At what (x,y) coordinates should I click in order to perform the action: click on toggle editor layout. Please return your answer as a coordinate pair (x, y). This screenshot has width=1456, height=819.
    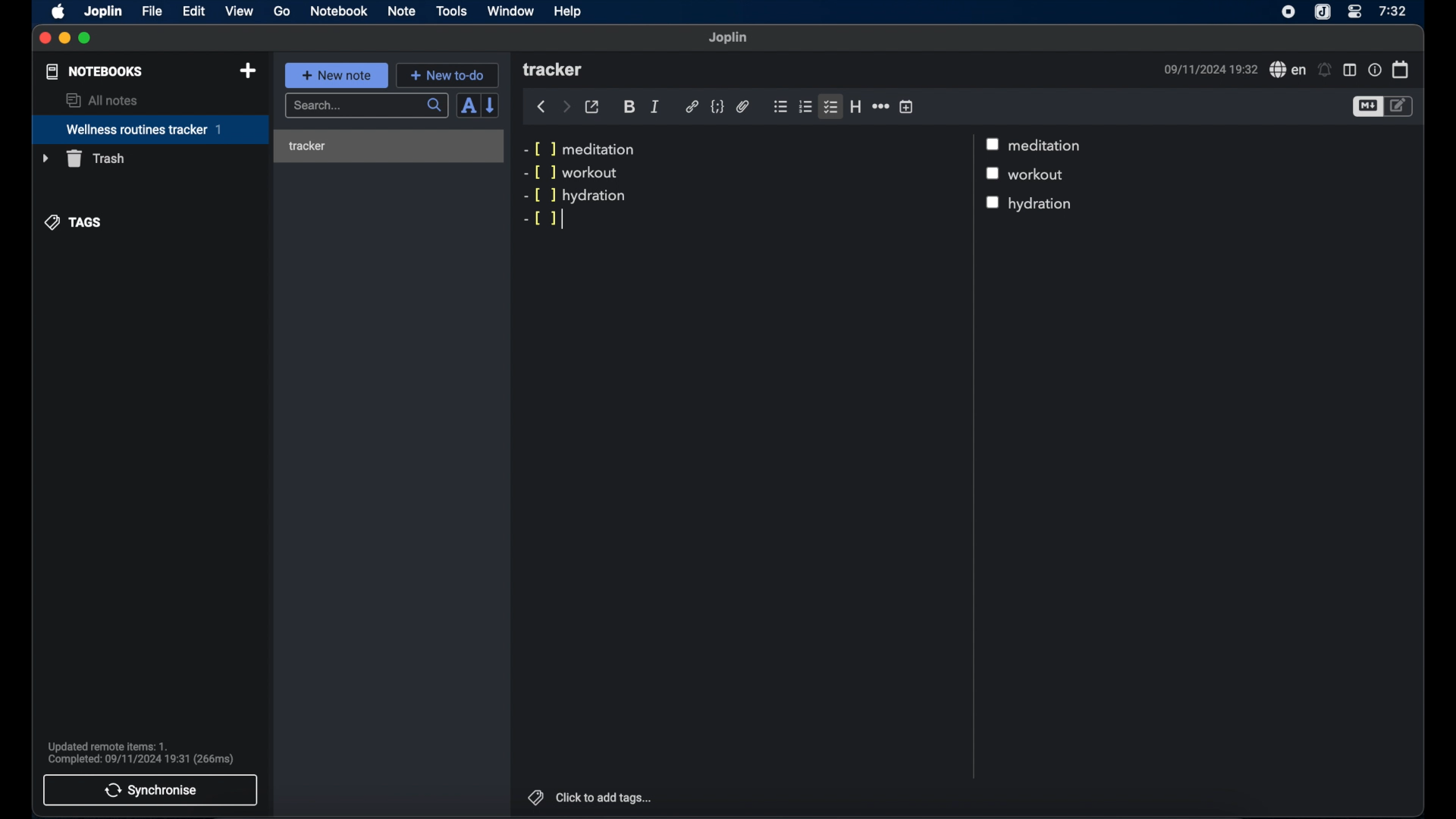
    Looking at the image, I should click on (1349, 70).